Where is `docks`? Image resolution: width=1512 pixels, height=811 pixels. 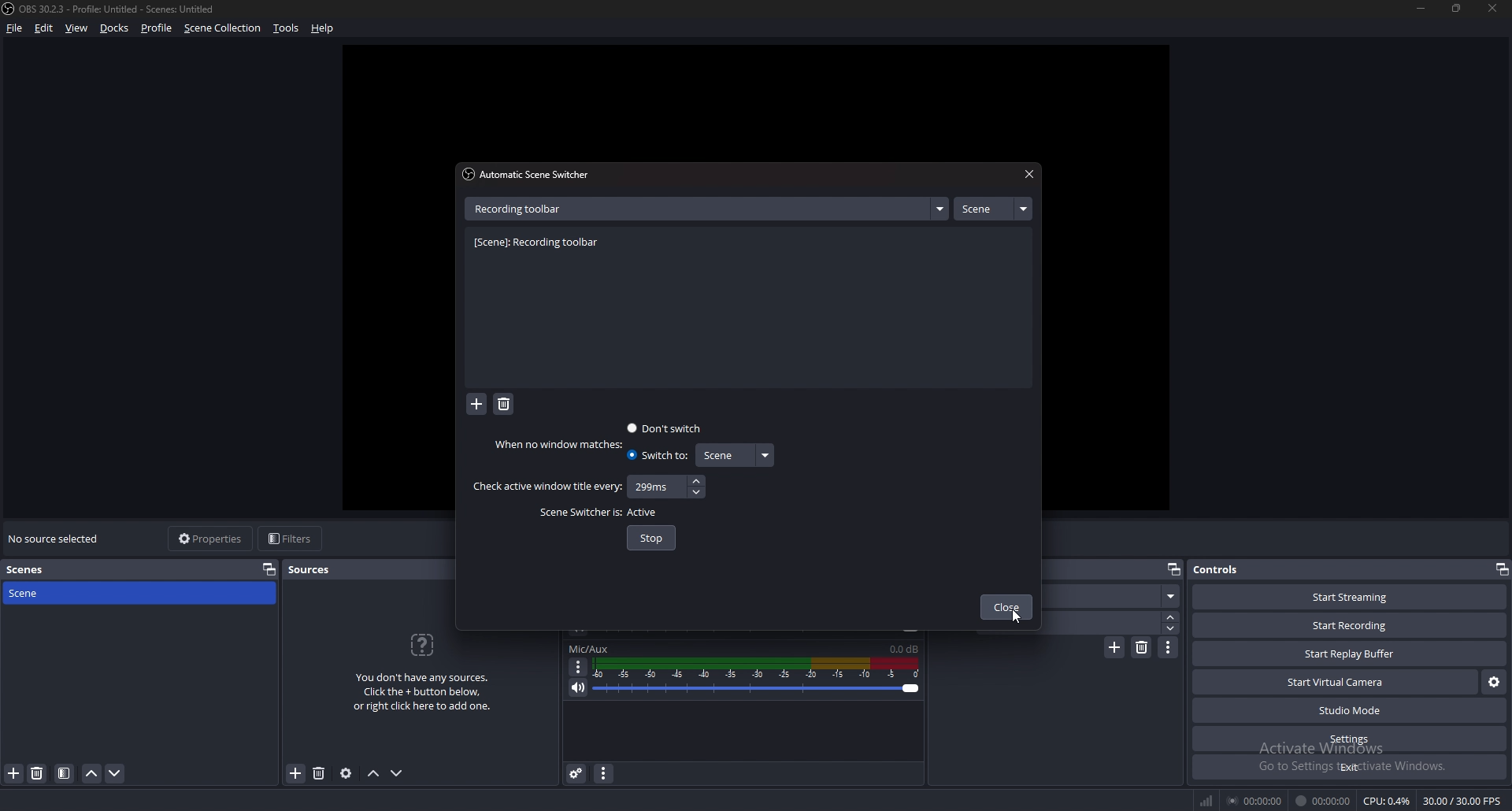 docks is located at coordinates (115, 28).